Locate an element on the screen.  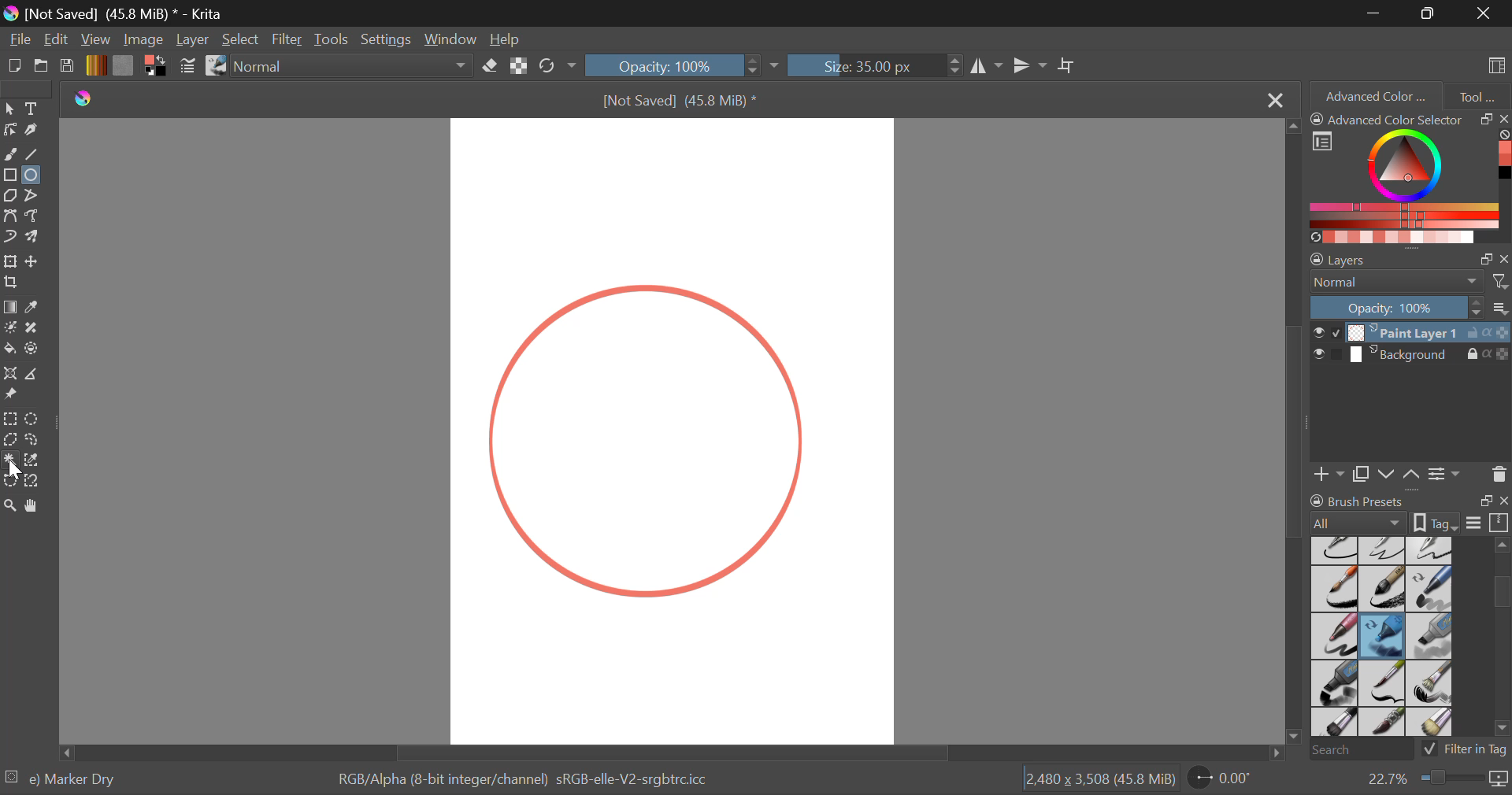
Copy is located at coordinates (1364, 471).